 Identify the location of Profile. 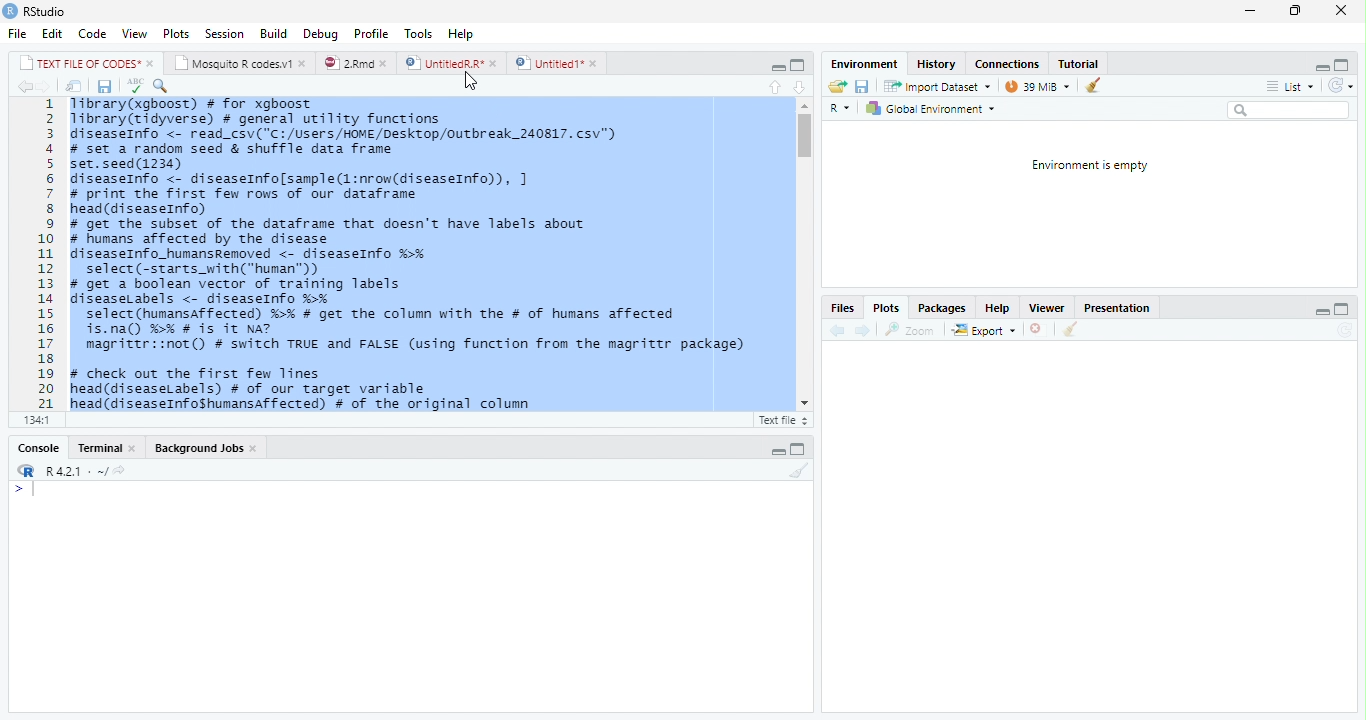
(372, 33).